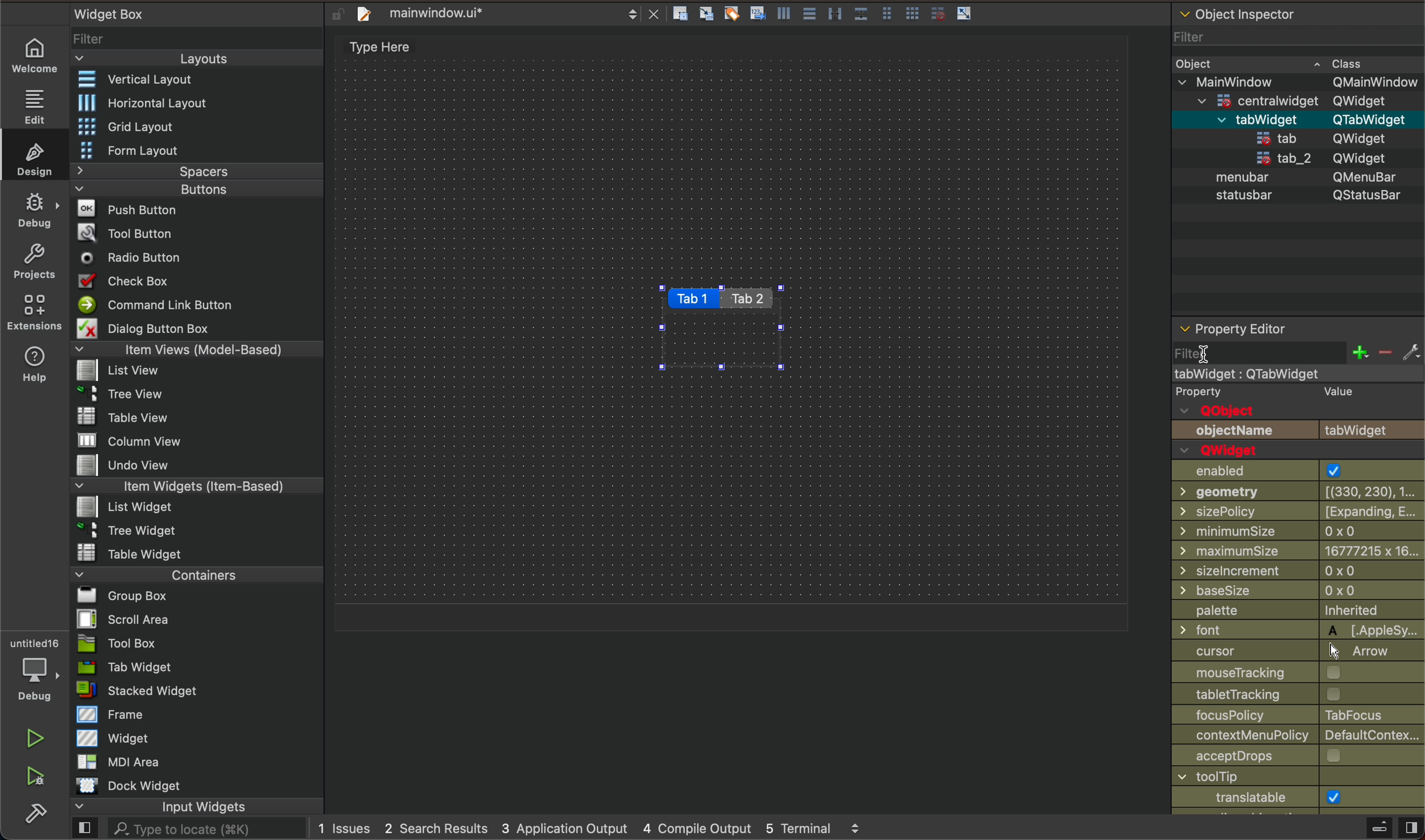 This screenshot has height=840, width=1425. I want to click on design, so click(34, 156).